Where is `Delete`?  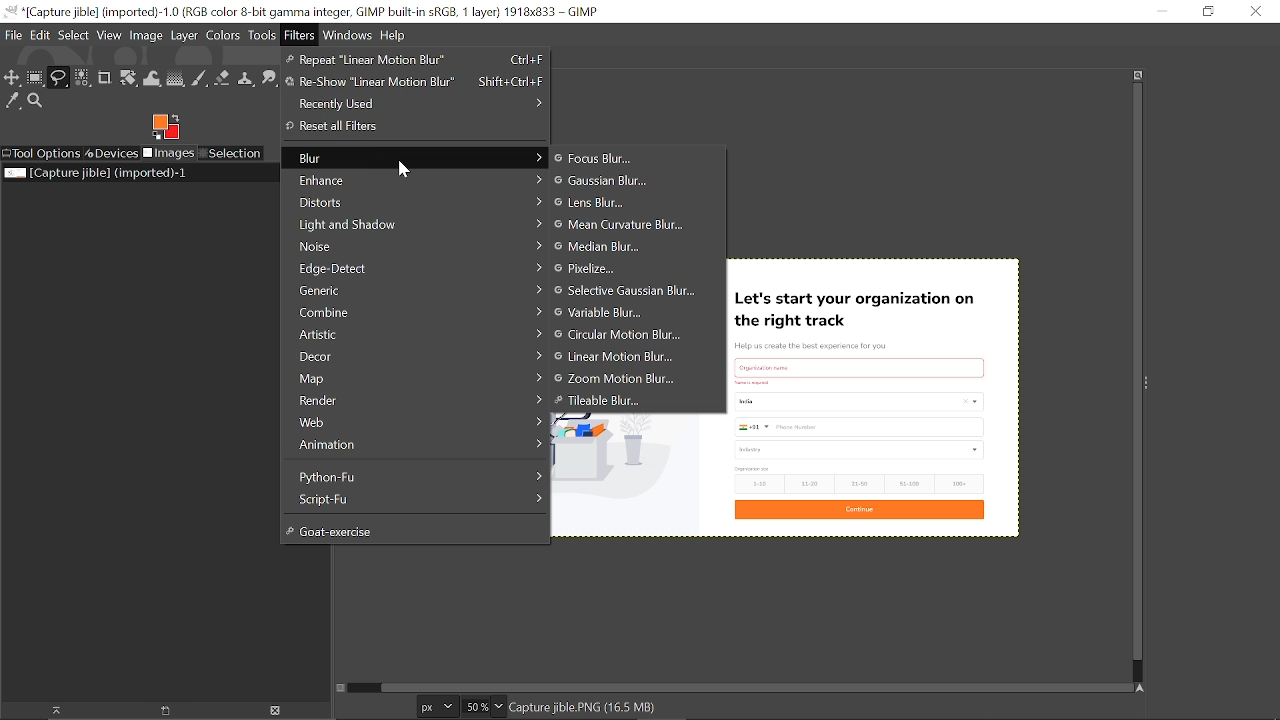 Delete is located at coordinates (274, 711).